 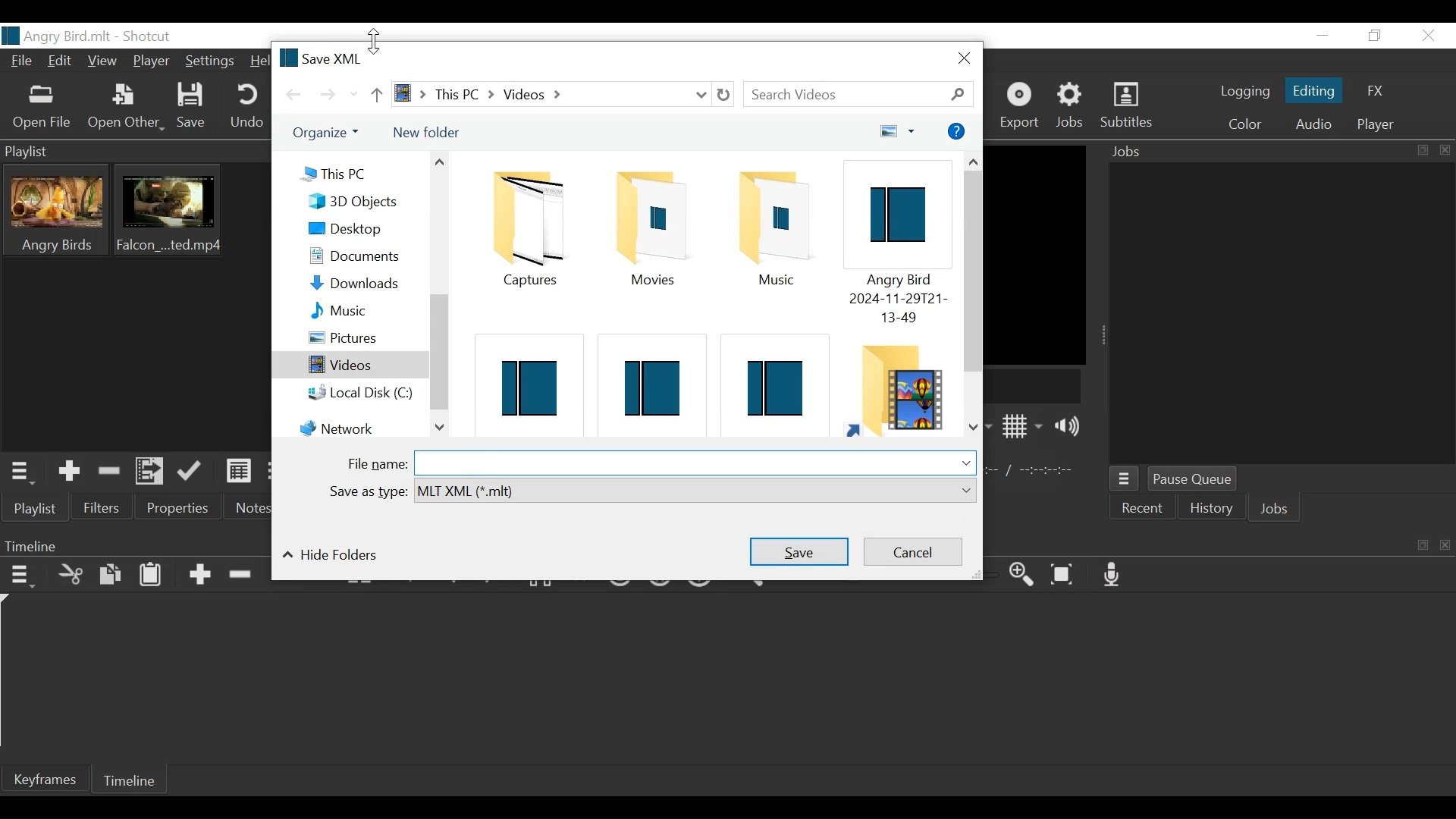 I want to click on New Folder, so click(x=425, y=131).